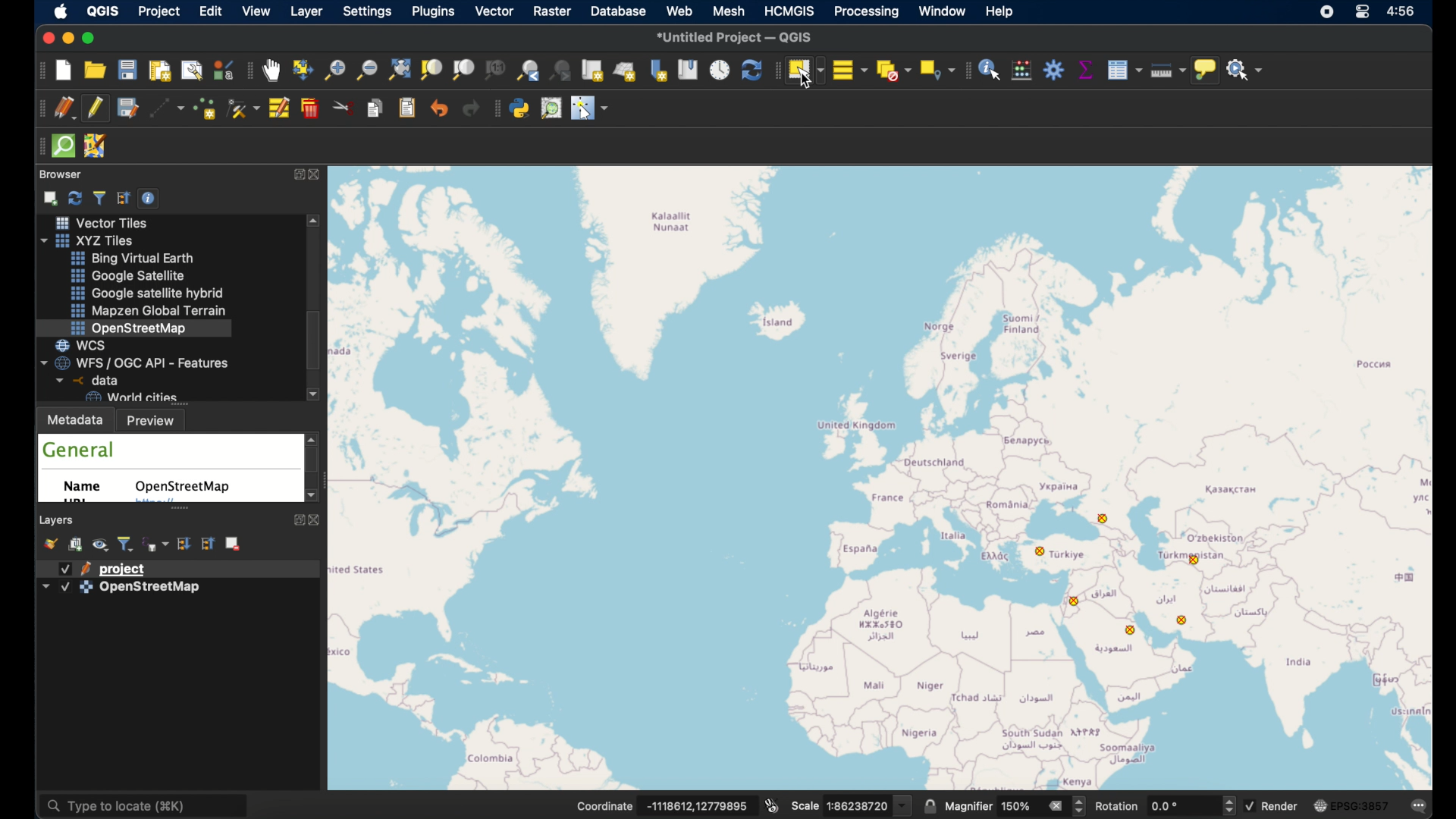 The height and width of the screenshot is (819, 1456). What do you see at coordinates (249, 72) in the screenshot?
I see `map navigation toolbar` at bounding box center [249, 72].